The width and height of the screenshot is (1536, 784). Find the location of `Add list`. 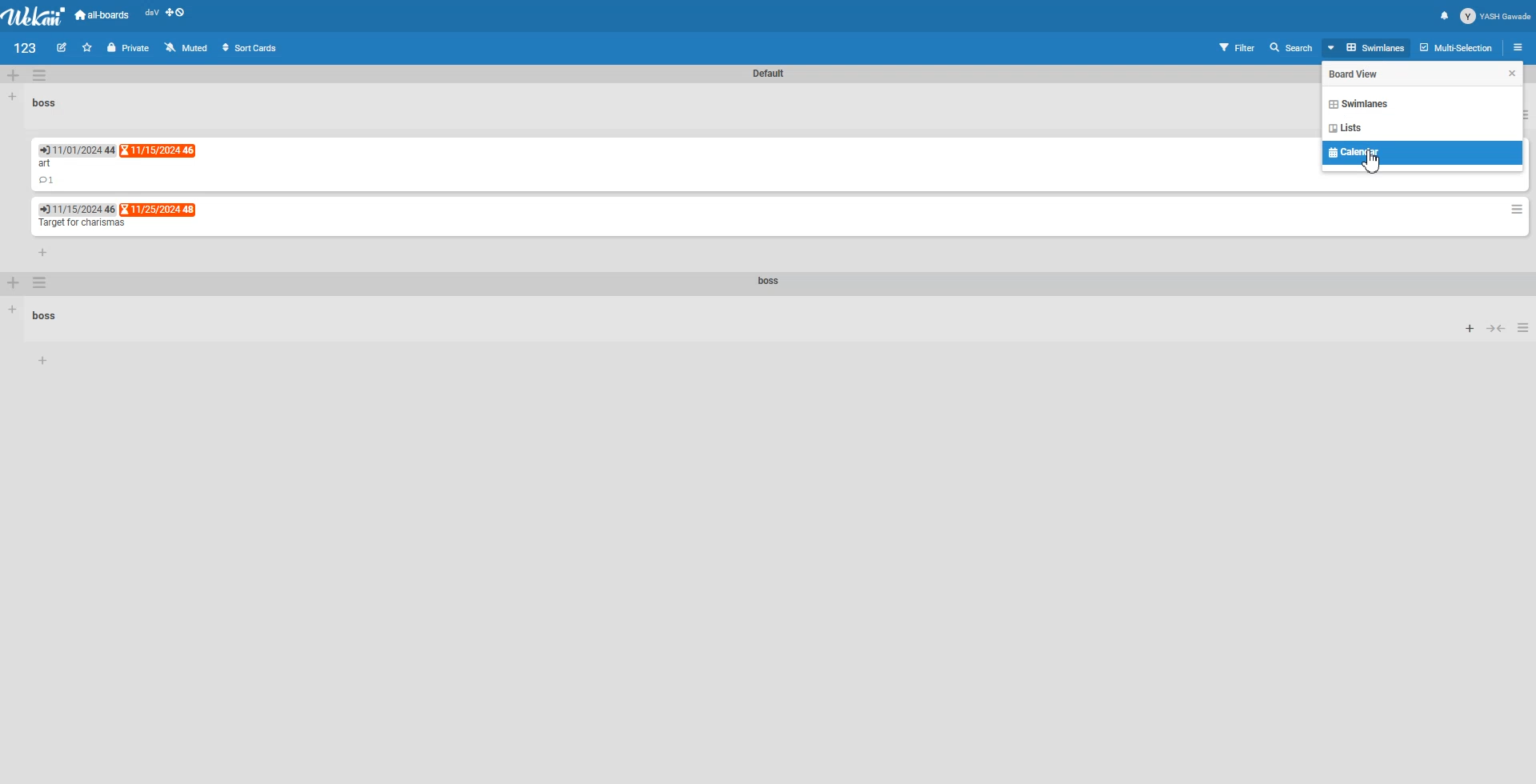

Add list is located at coordinates (14, 310).